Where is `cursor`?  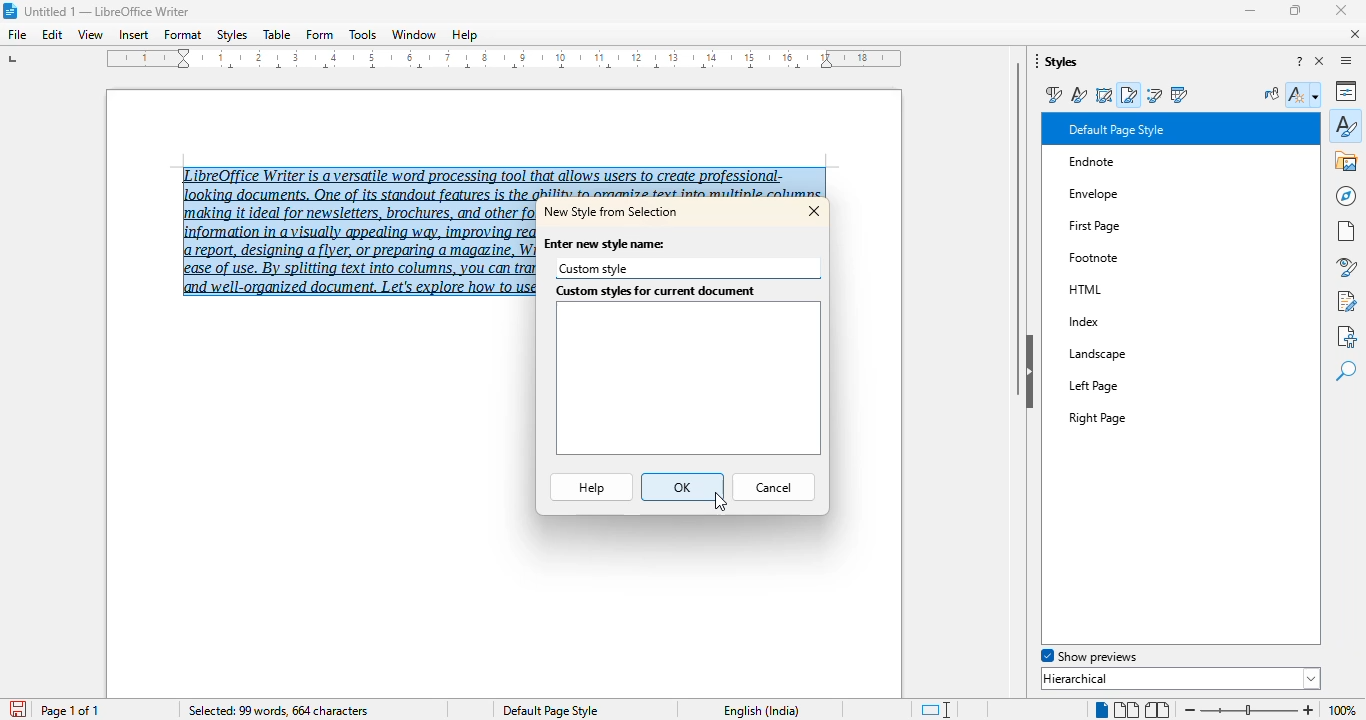
cursor is located at coordinates (721, 502).